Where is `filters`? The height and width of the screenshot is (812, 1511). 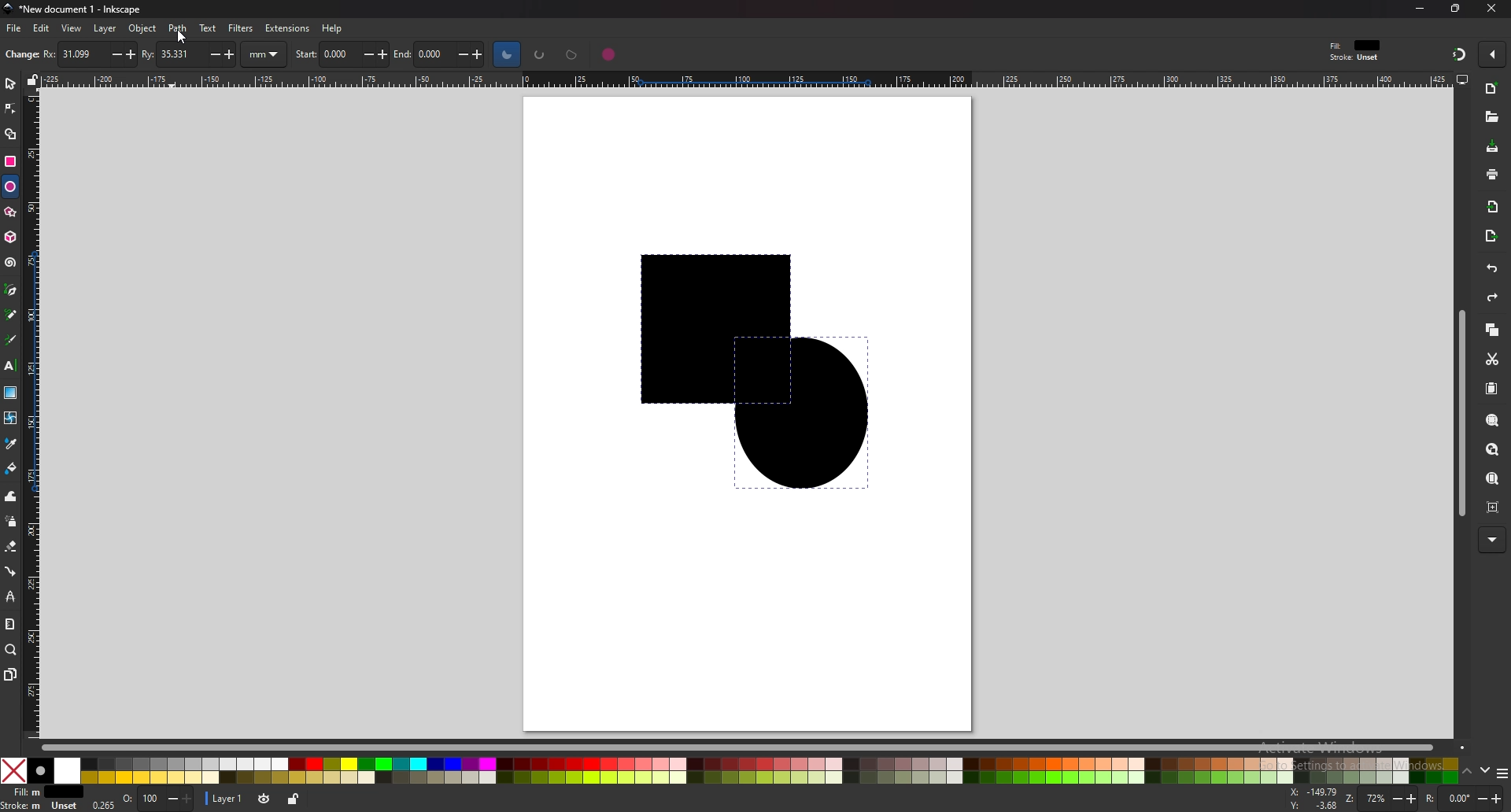
filters is located at coordinates (241, 28).